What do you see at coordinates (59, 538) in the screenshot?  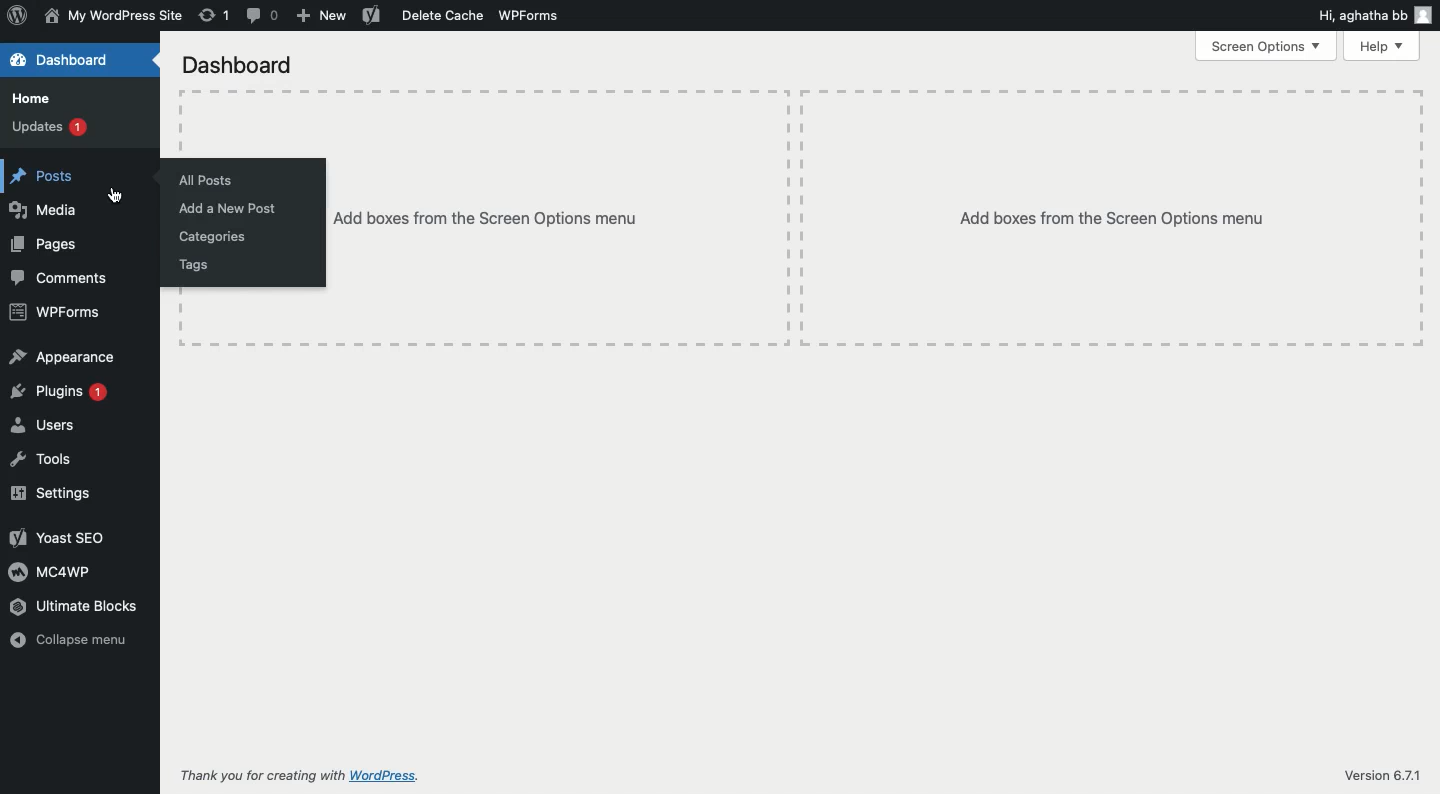 I see `Yoast SEO` at bounding box center [59, 538].